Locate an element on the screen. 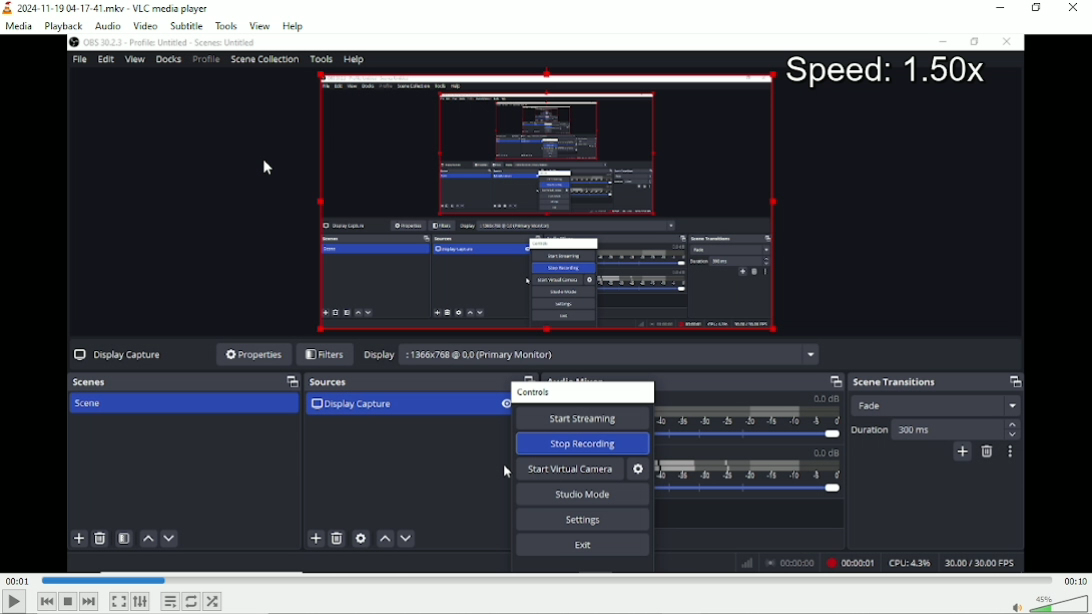 The image size is (1092, 614). subtitle is located at coordinates (185, 24).